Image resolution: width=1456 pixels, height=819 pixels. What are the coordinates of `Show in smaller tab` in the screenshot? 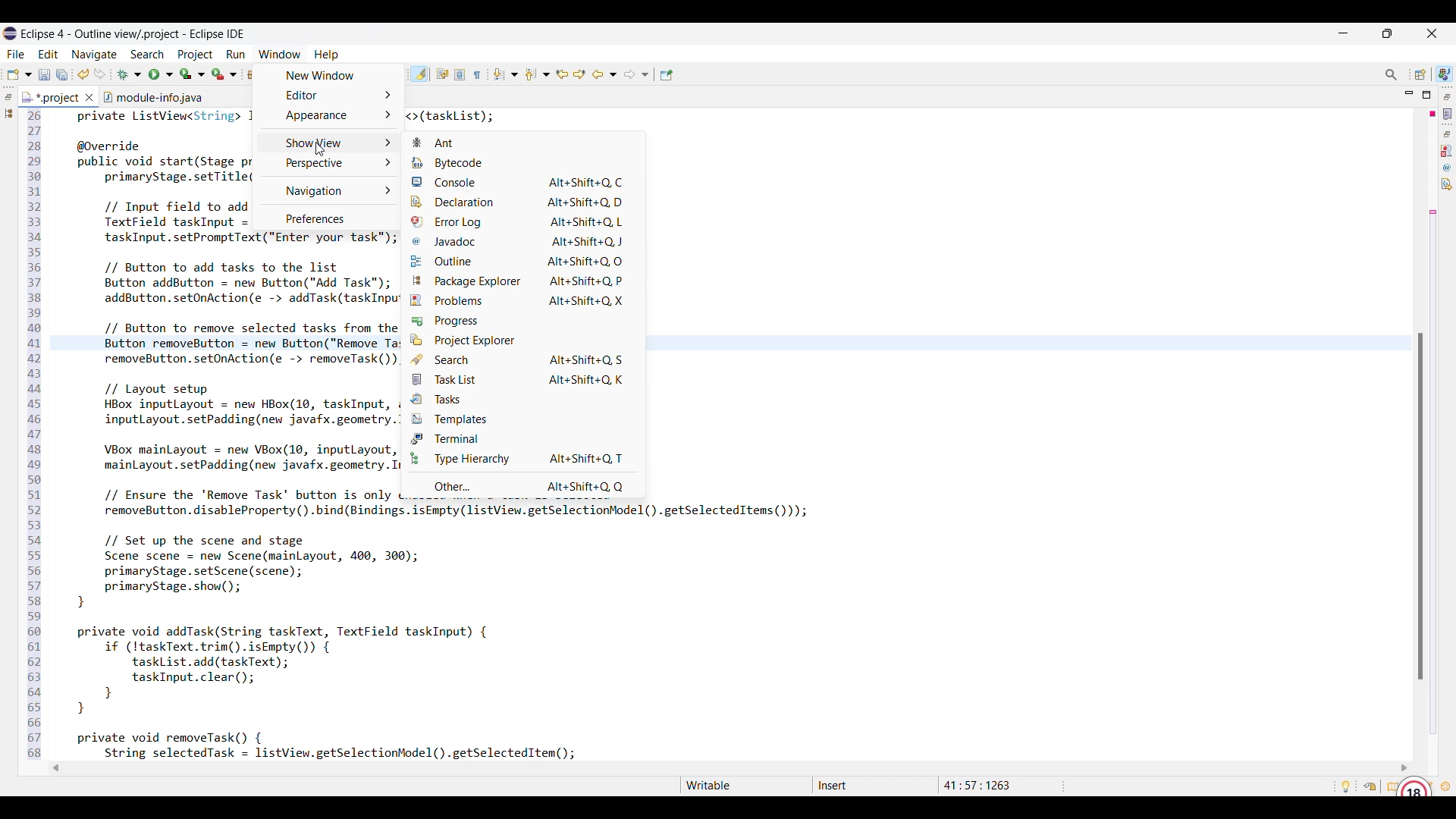 It's located at (1387, 33).